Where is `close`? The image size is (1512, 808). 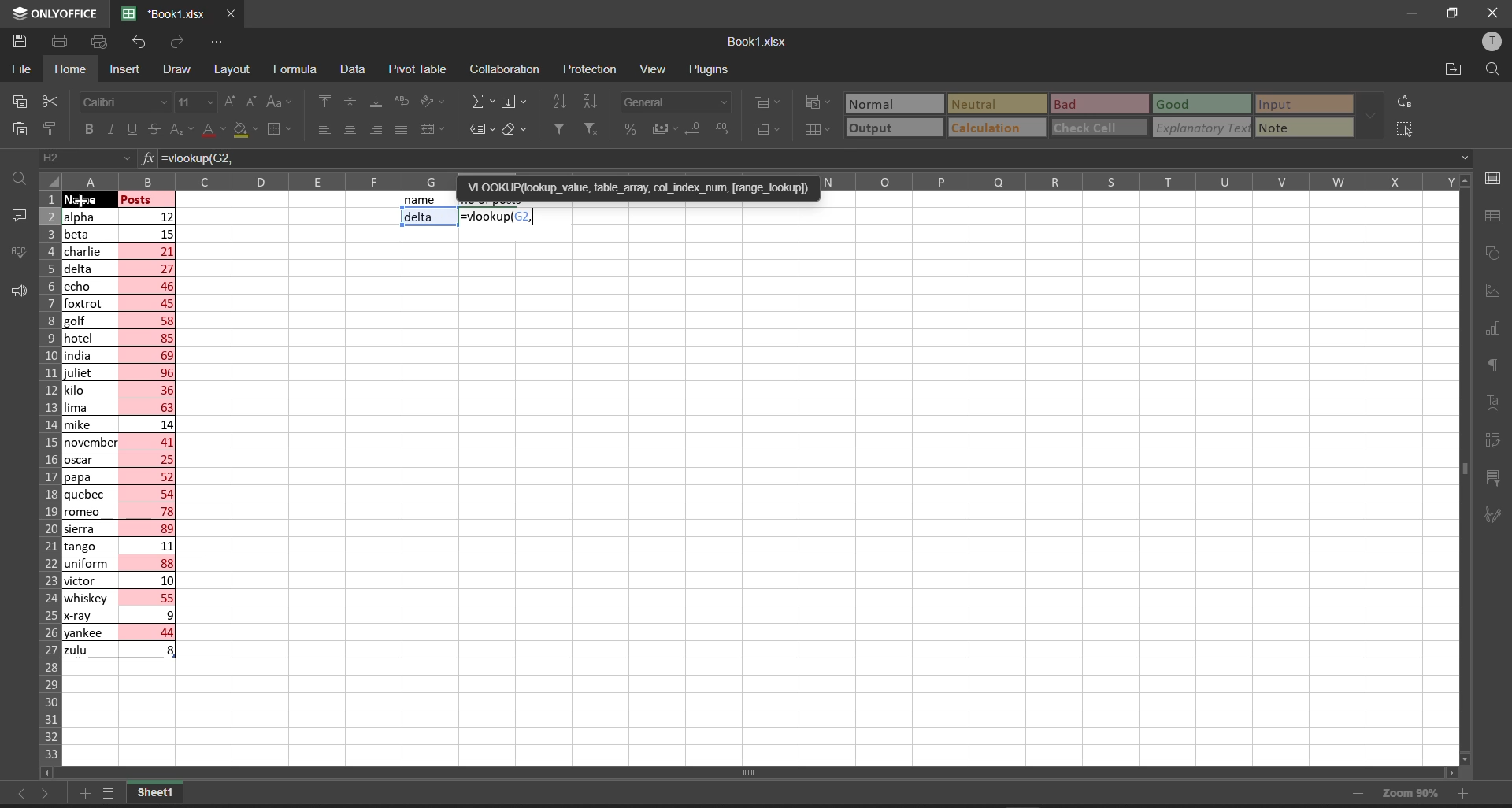 close is located at coordinates (1490, 13).